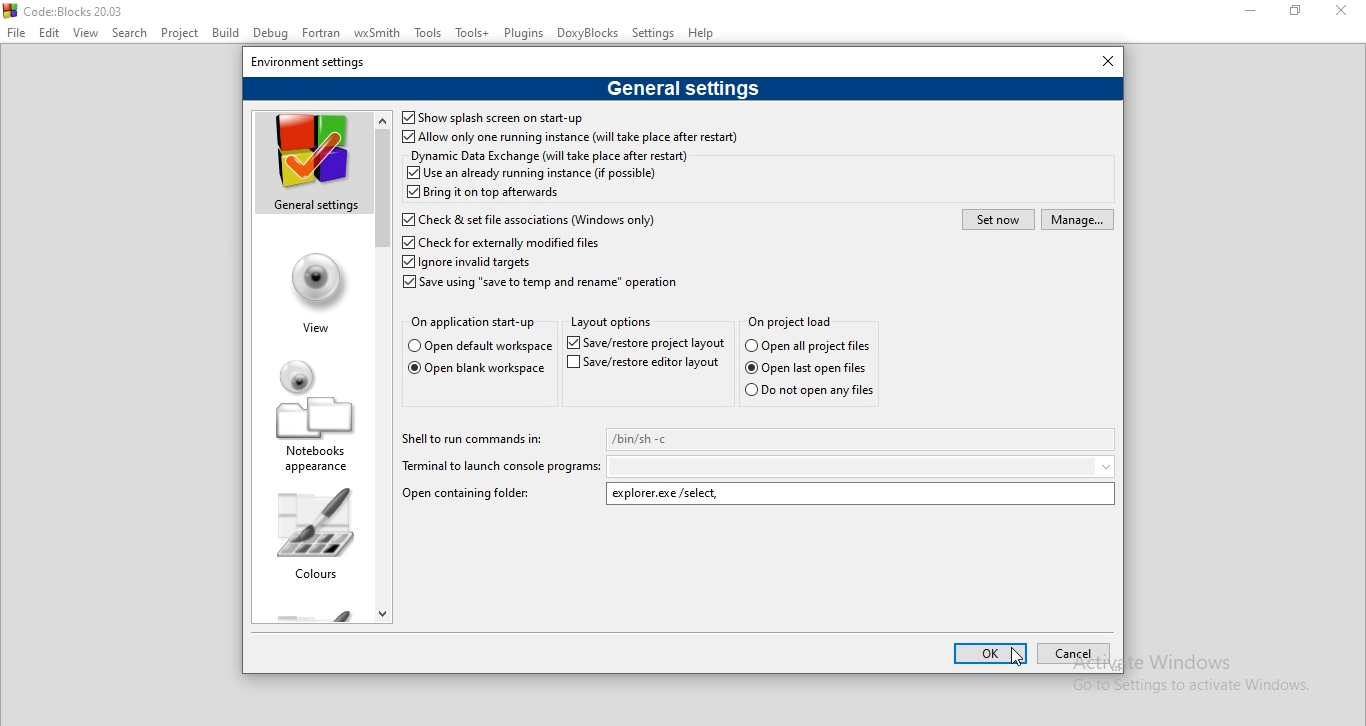 This screenshot has height=726, width=1366. What do you see at coordinates (375, 33) in the screenshot?
I see `wxSmith` at bounding box center [375, 33].